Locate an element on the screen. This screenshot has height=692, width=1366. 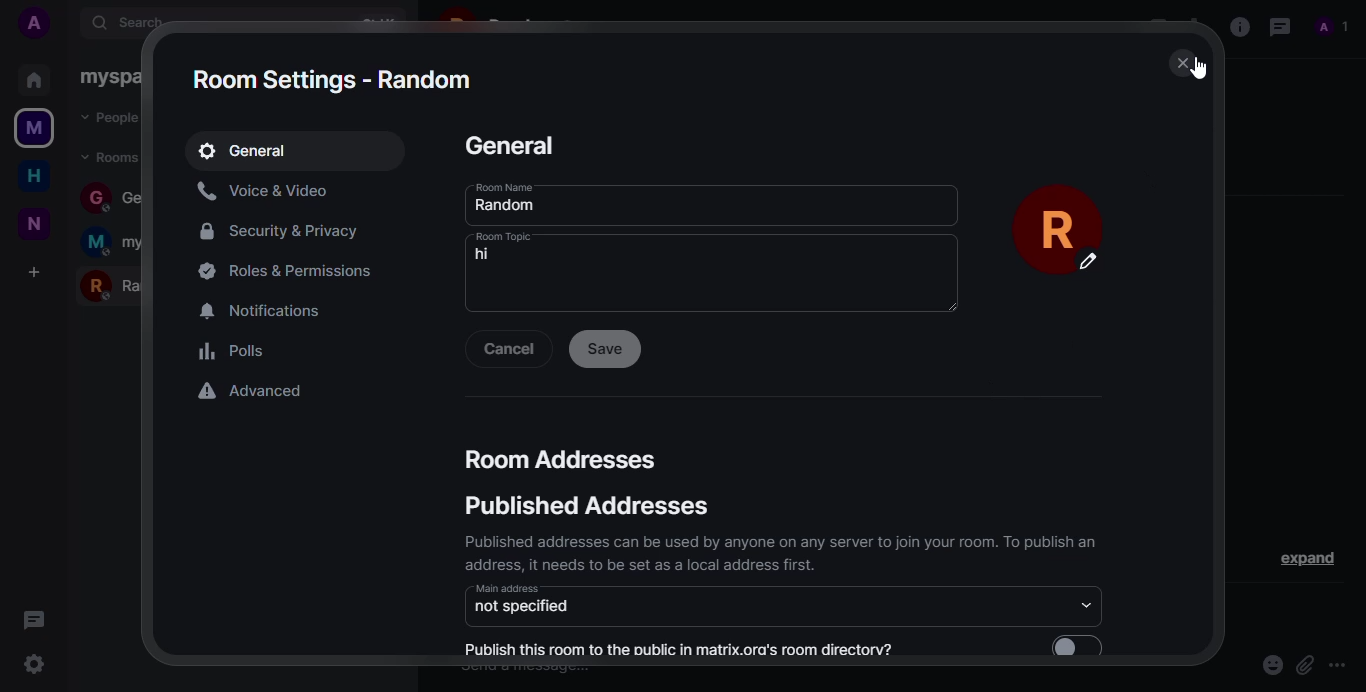
notifications is located at coordinates (259, 312).